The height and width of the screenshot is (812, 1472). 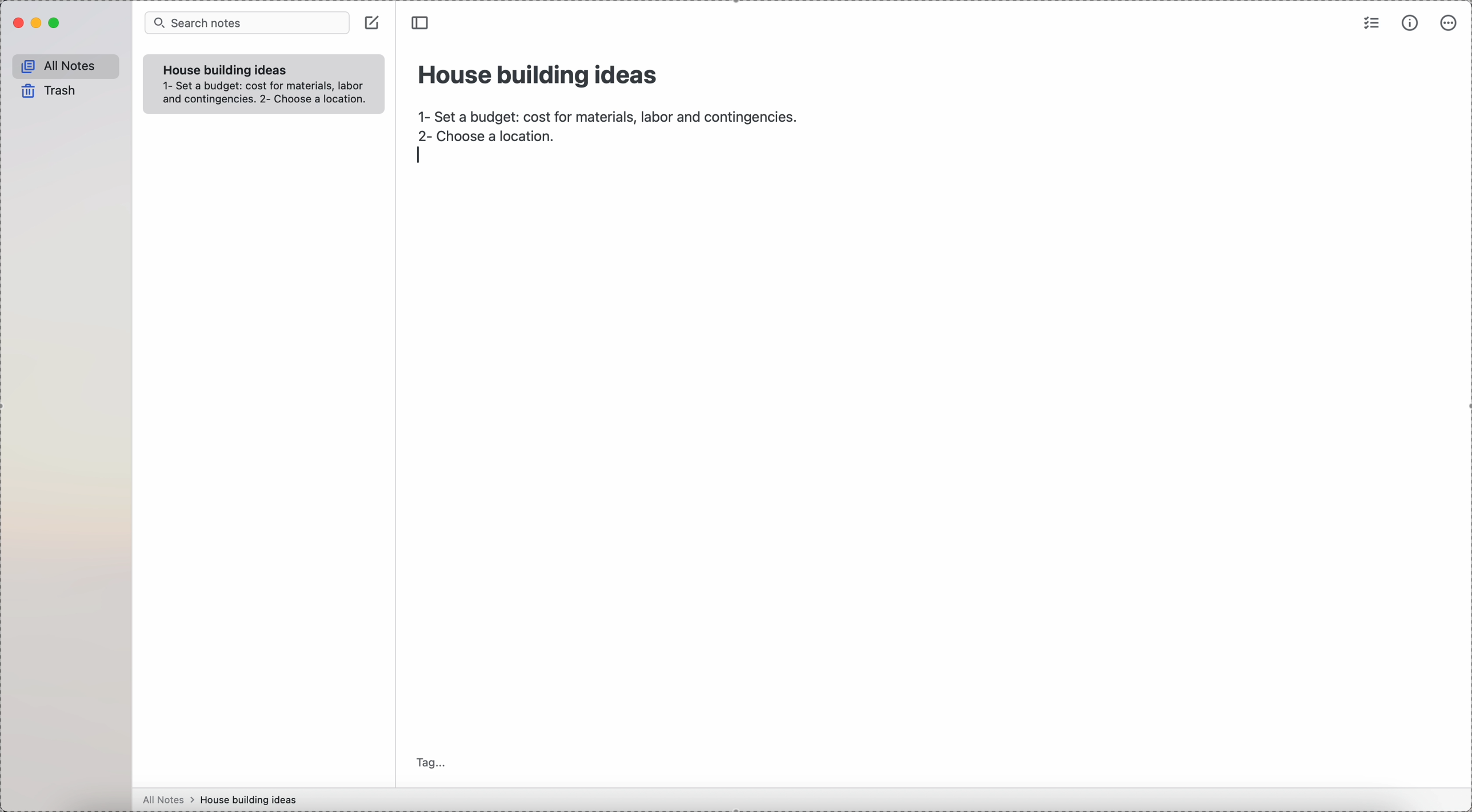 What do you see at coordinates (47, 91) in the screenshot?
I see `trash` at bounding box center [47, 91].